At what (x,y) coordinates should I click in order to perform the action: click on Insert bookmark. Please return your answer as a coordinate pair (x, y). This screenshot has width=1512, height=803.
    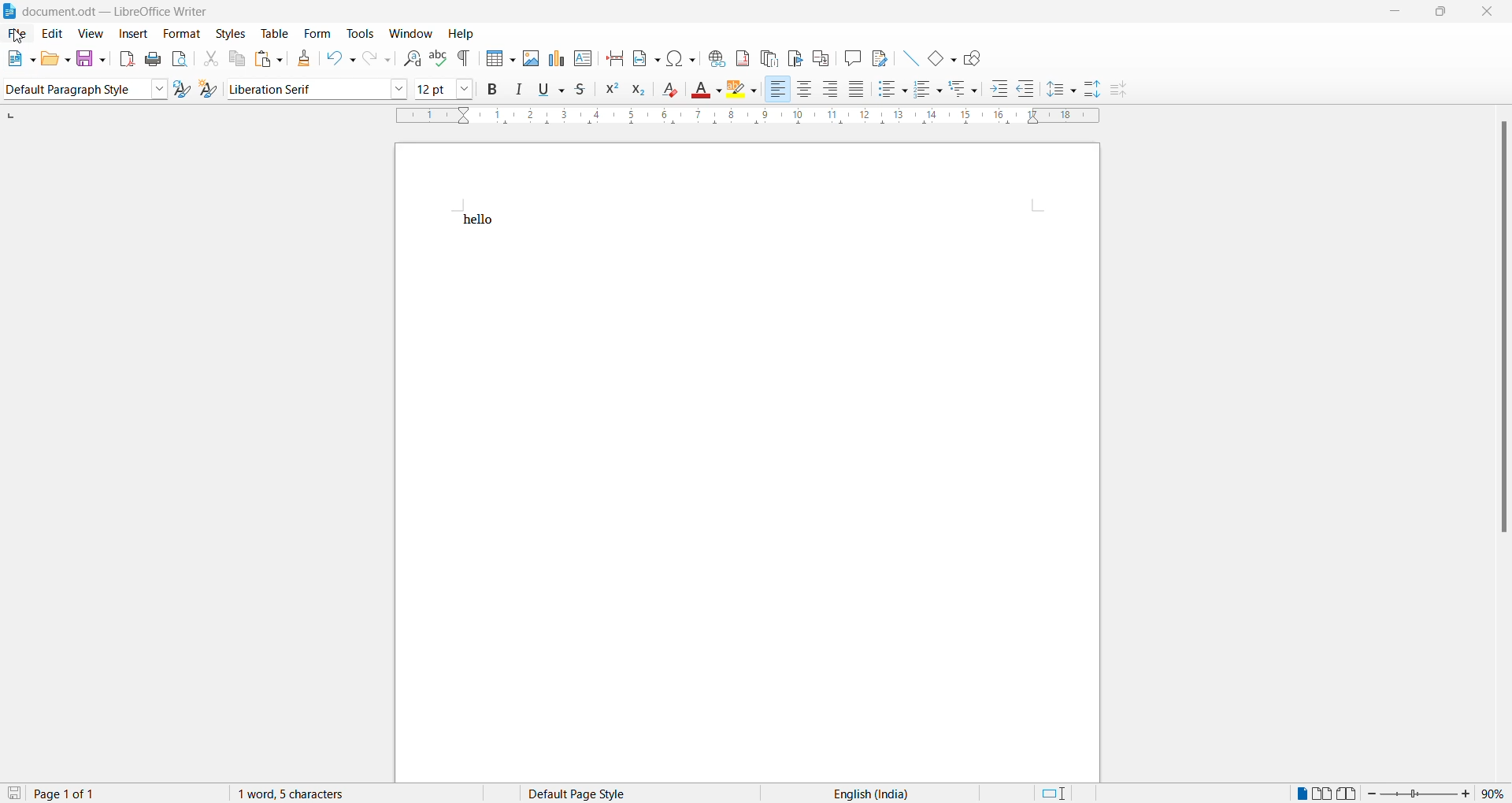
    Looking at the image, I should click on (795, 58).